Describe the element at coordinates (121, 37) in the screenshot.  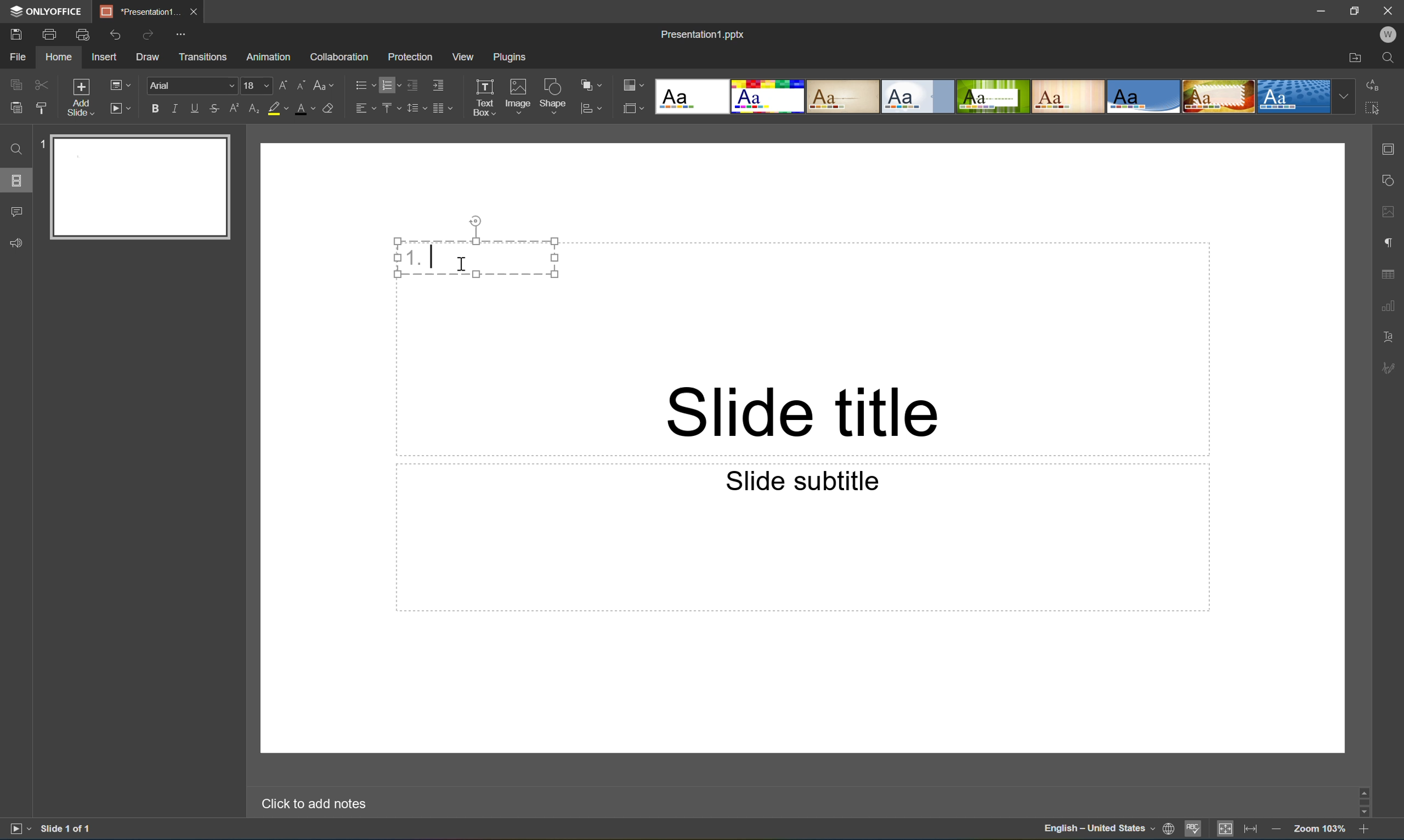
I see `Undo` at that location.